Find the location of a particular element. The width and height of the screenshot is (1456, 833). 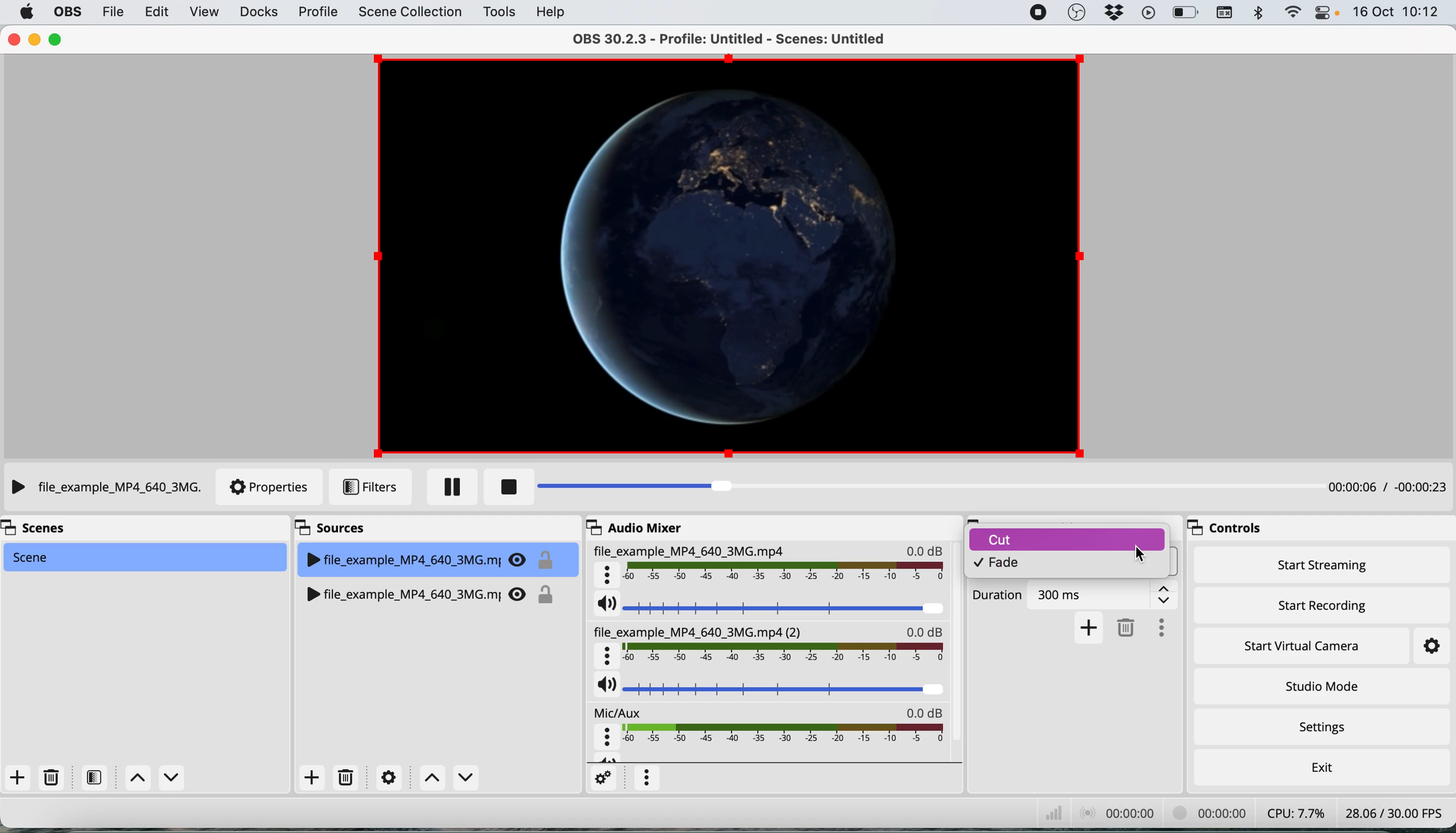

profile is located at coordinates (321, 13).